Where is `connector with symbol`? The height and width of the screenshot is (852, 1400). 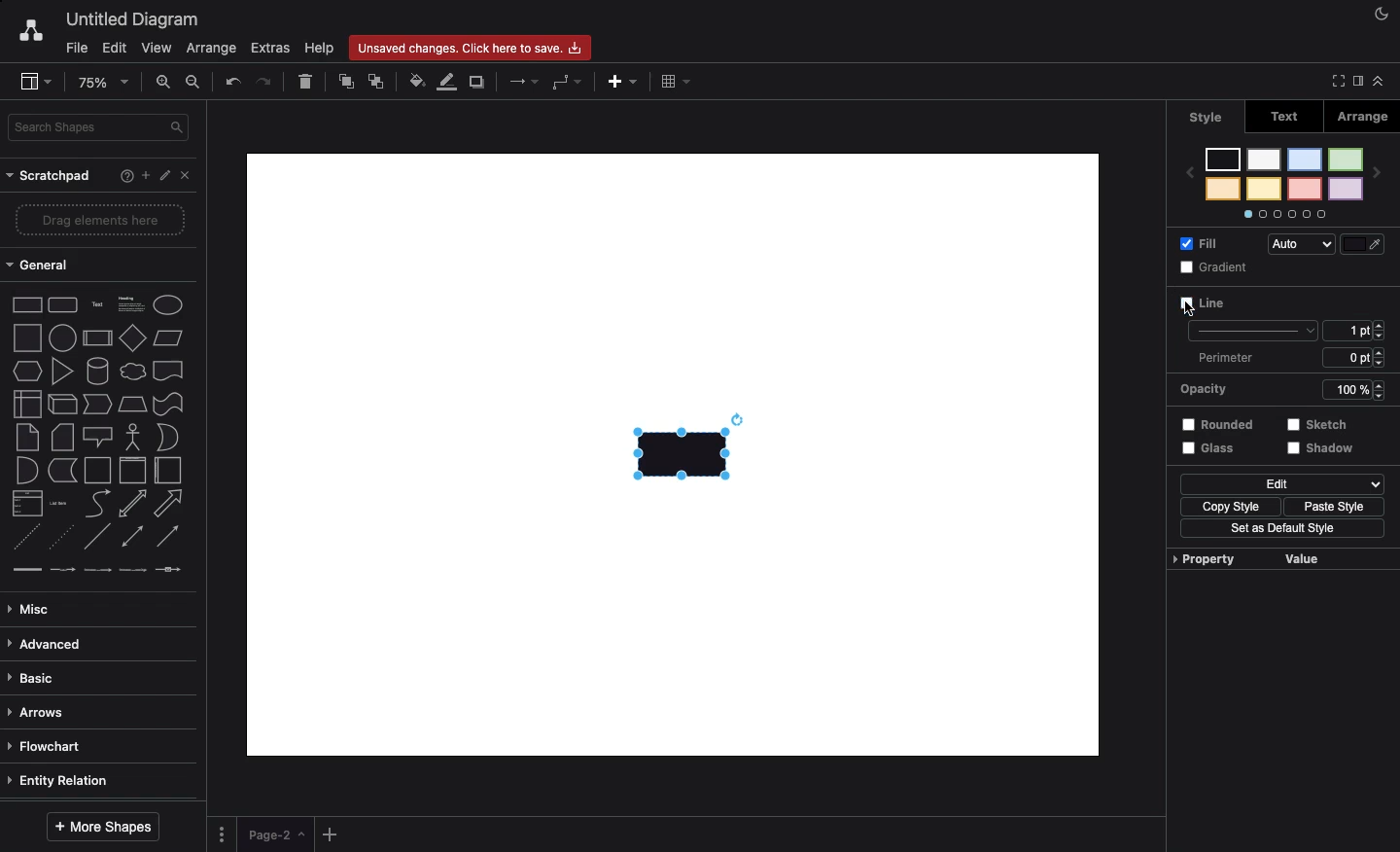
connector with symbol is located at coordinates (171, 572).